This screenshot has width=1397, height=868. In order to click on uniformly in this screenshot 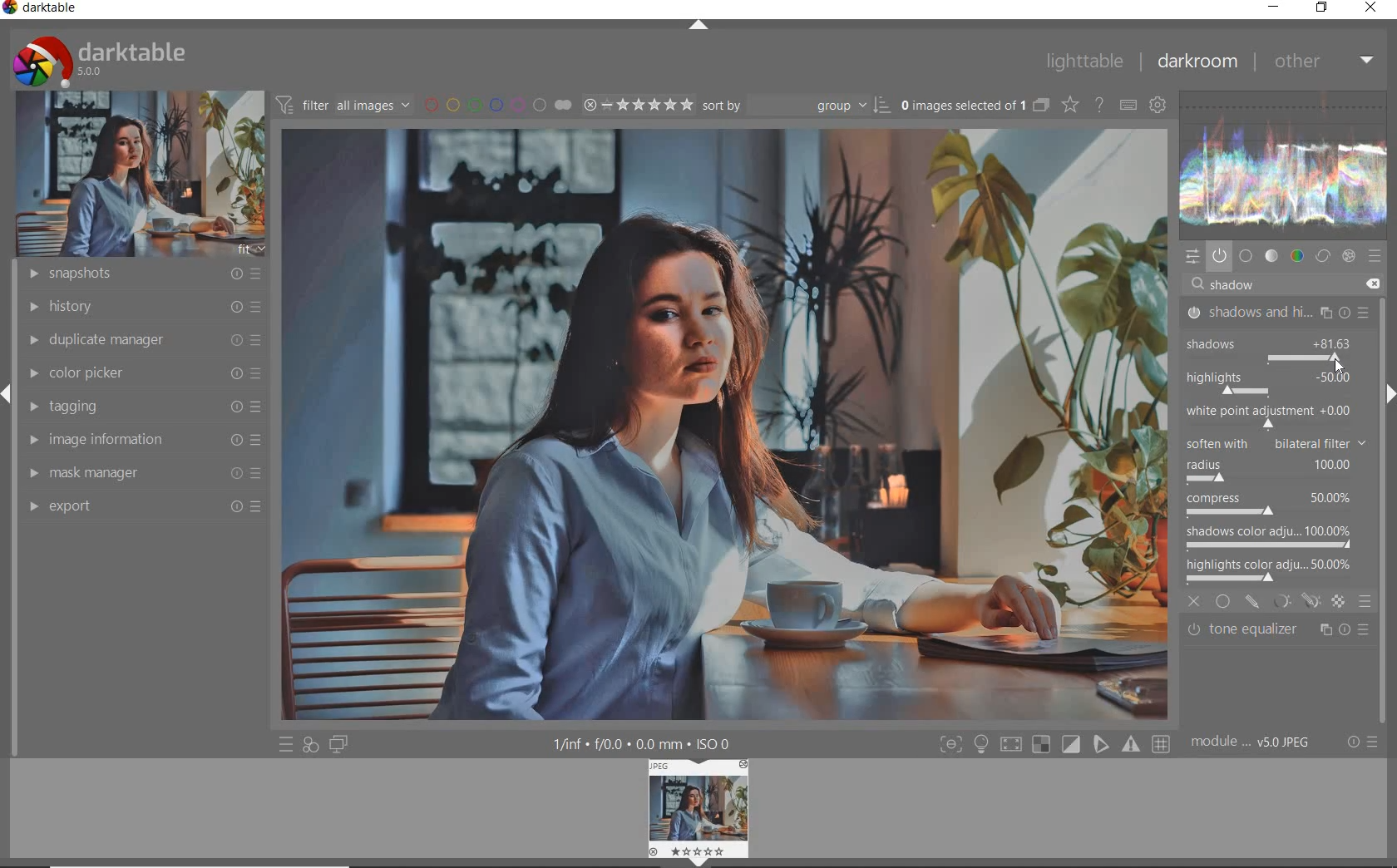, I will do `click(1224, 601)`.